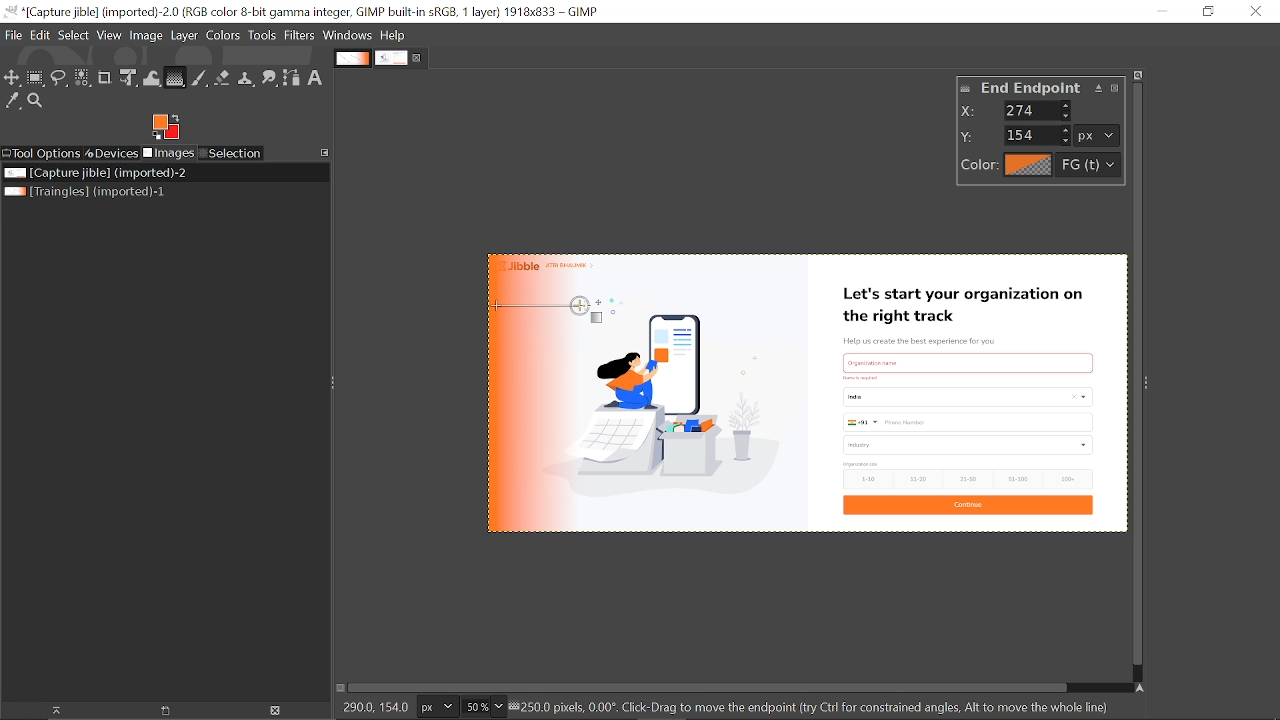  What do you see at coordinates (710, 689) in the screenshot?
I see `Horizontal scrollbar` at bounding box center [710, 689].